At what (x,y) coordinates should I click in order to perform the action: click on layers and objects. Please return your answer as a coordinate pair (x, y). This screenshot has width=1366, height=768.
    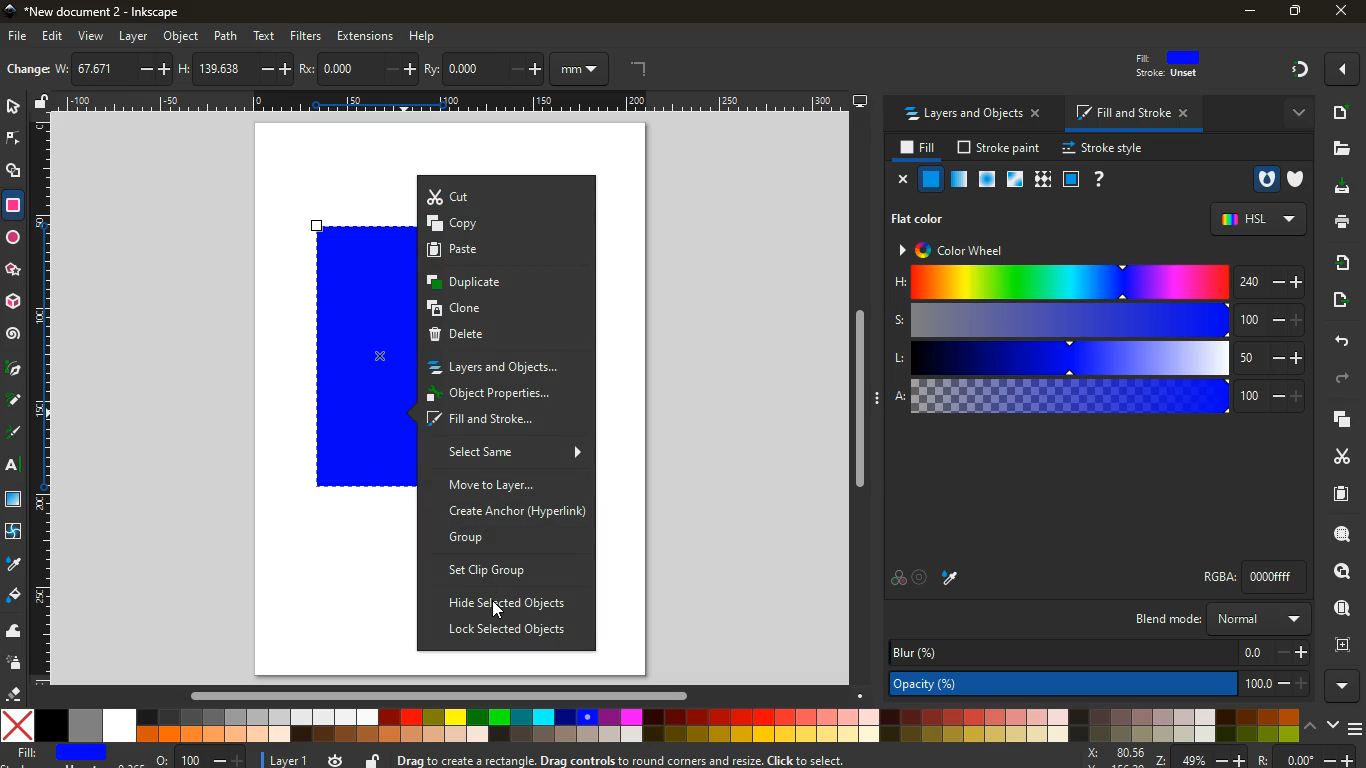
    Looking at the image, I should click on (507, 368).